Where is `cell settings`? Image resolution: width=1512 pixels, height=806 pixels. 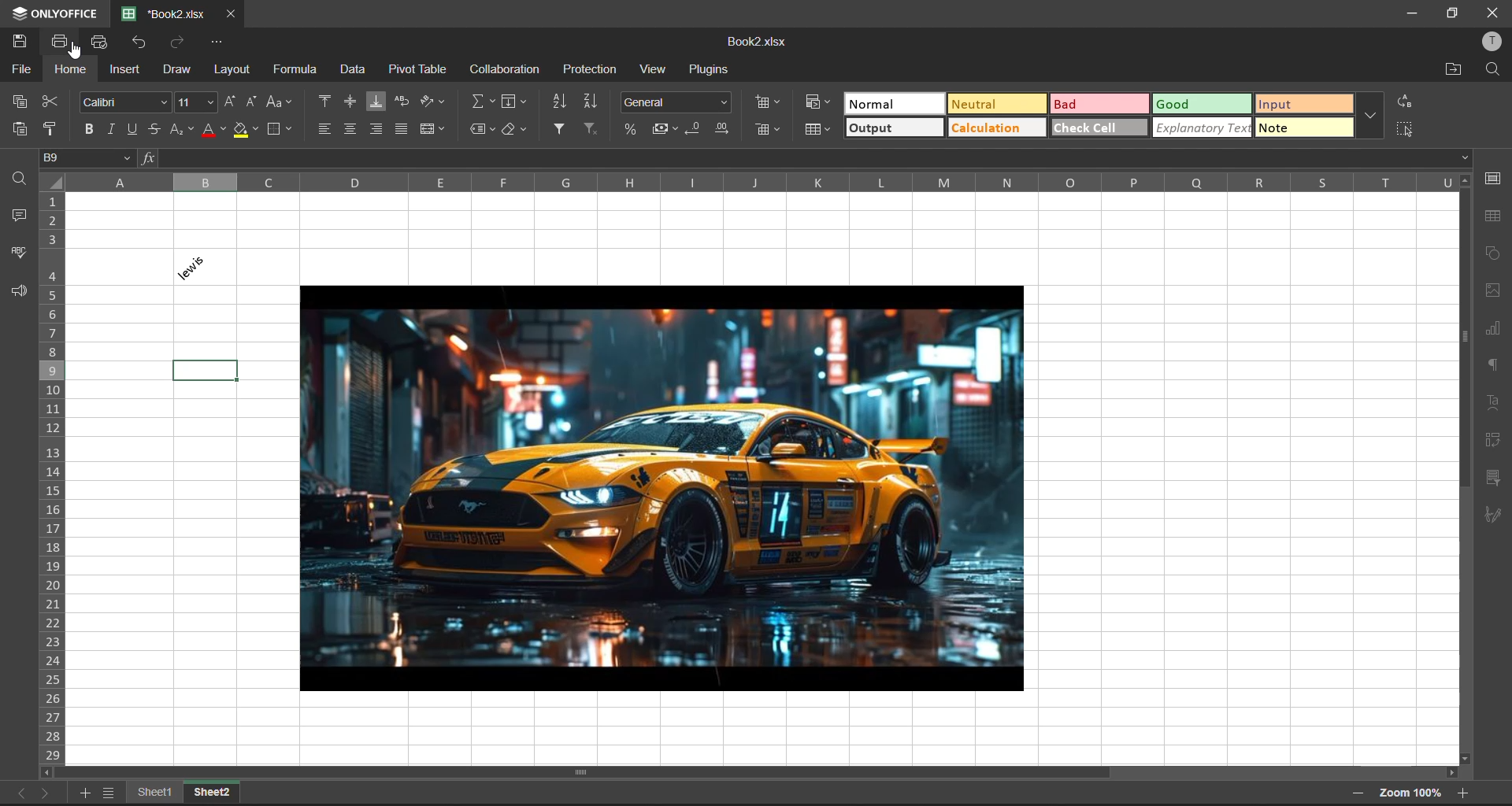
cell settings is located at coordinates (1493, 179).